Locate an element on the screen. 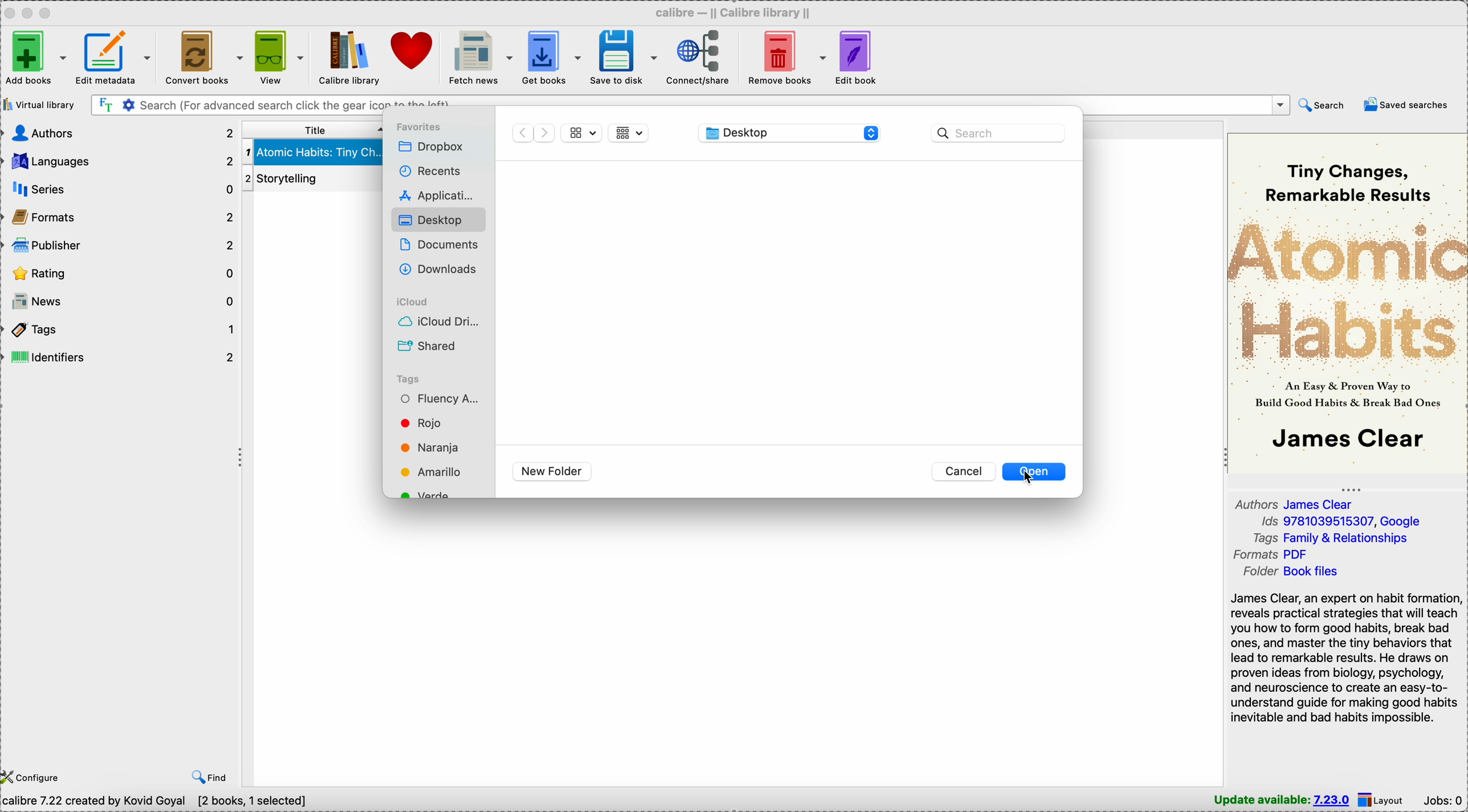  convert books is located at coordinates (203, 57).